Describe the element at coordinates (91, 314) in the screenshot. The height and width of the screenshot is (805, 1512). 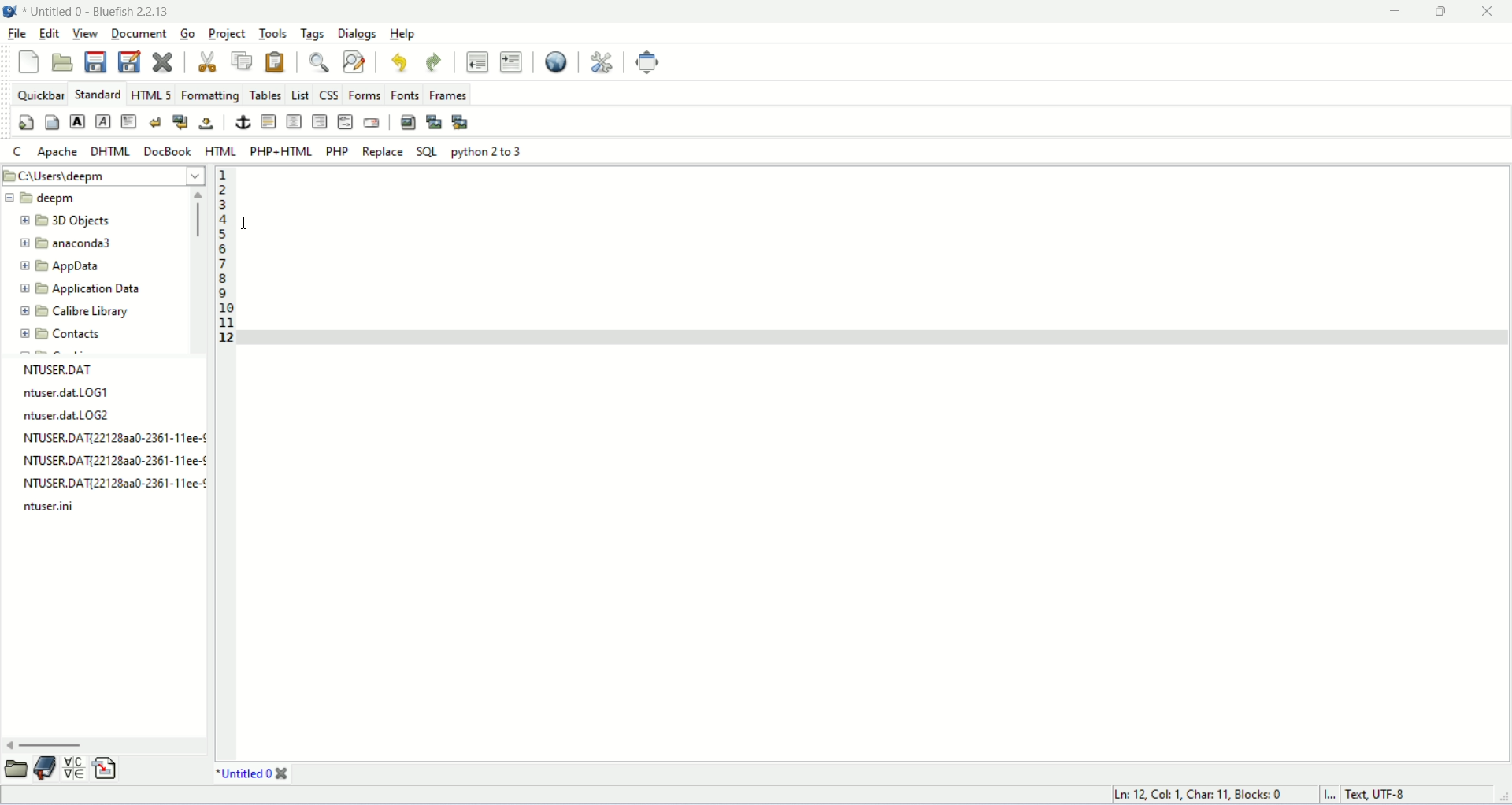
I see `folder name` at that location.